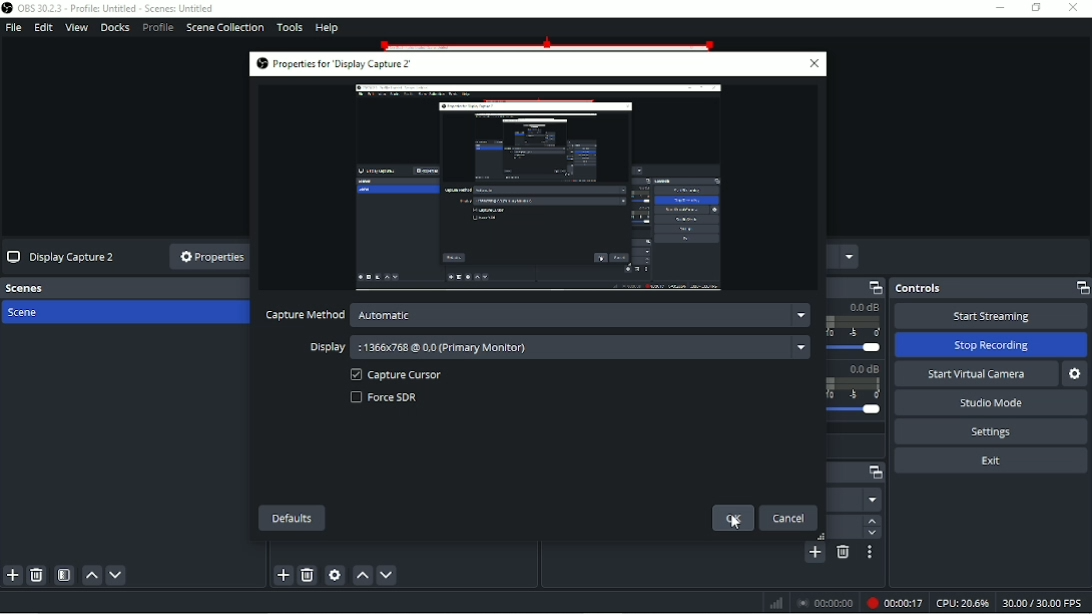  I want to click on Configure virtual camera, so click(1075, 374).